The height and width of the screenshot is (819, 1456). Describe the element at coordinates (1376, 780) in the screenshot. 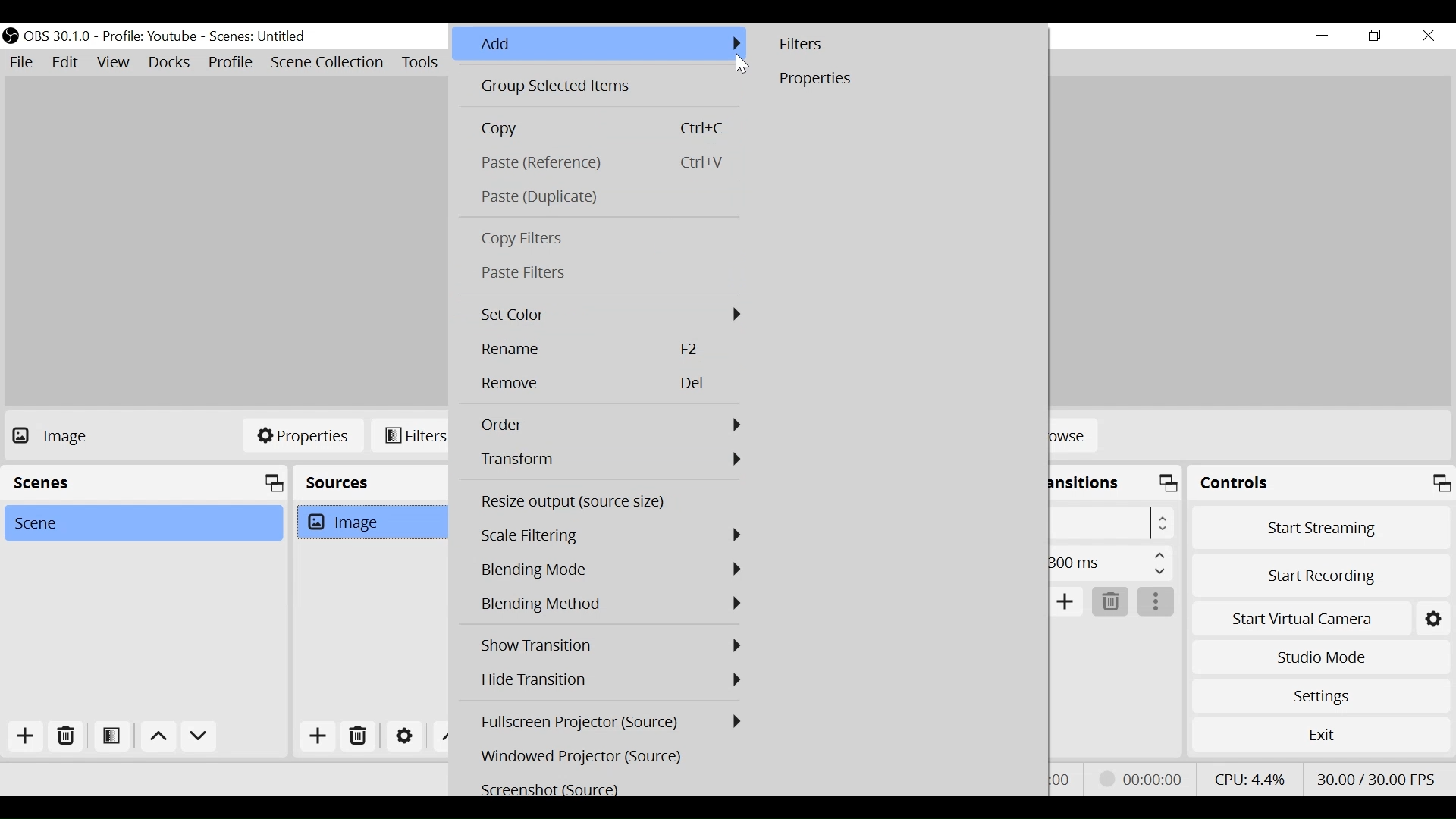

I see `Frame Per Second` at that location.